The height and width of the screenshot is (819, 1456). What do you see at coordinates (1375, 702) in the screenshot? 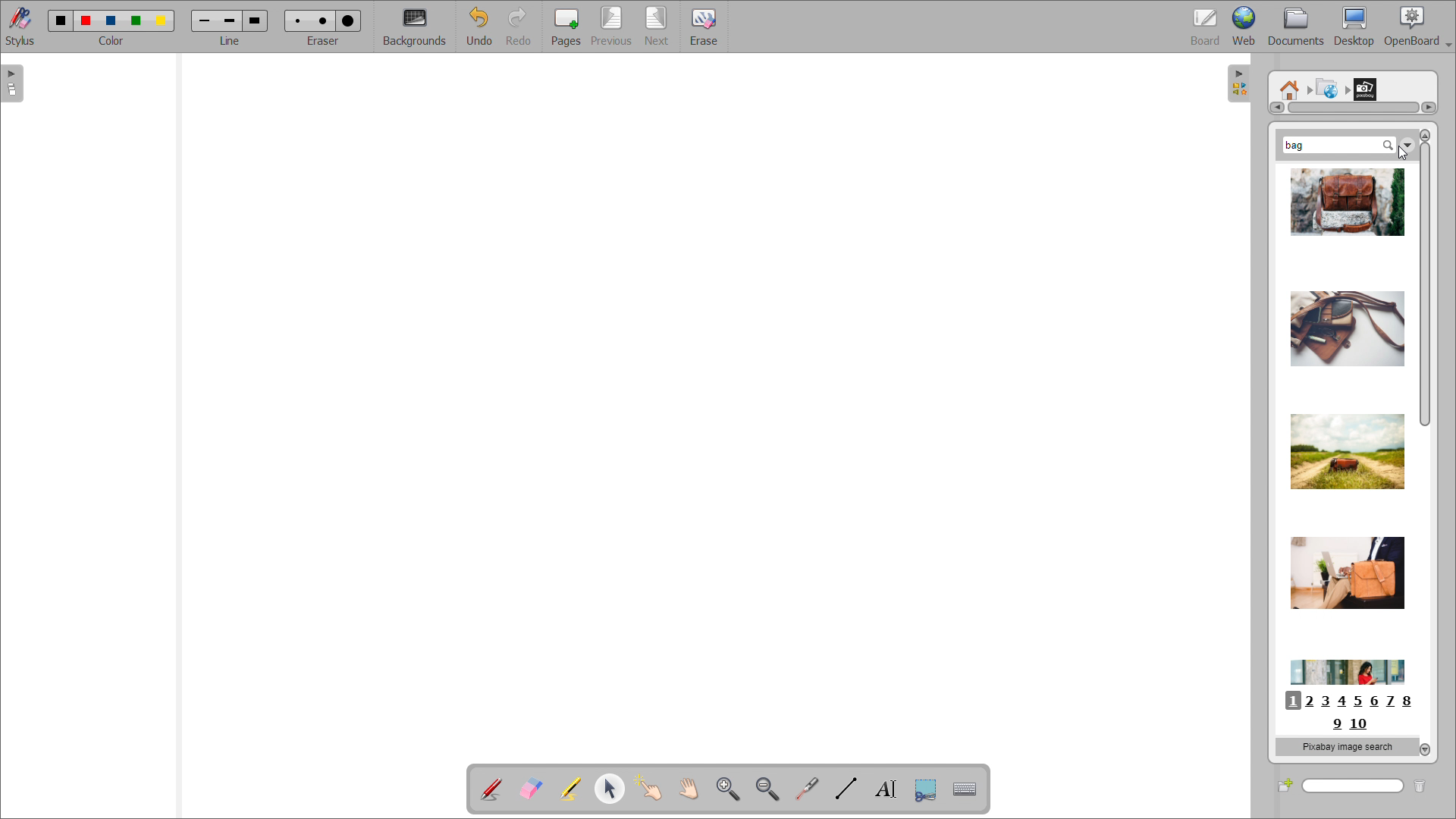
I see `6` at bounding box center [1375, 702].